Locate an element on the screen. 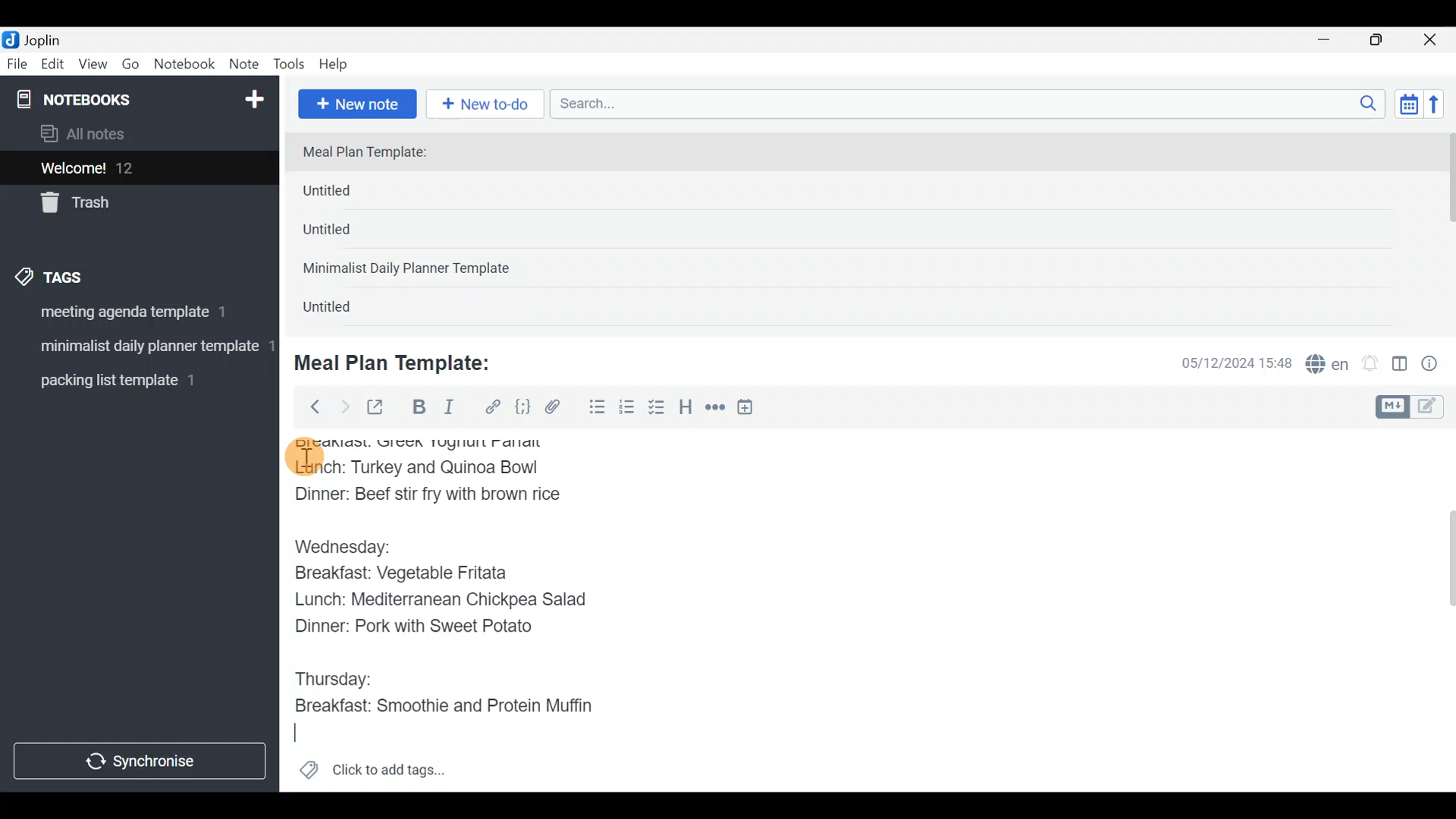 The height and width of the screenshot is (819, 1456). scroll bar is located at coordinates (1446, 229).